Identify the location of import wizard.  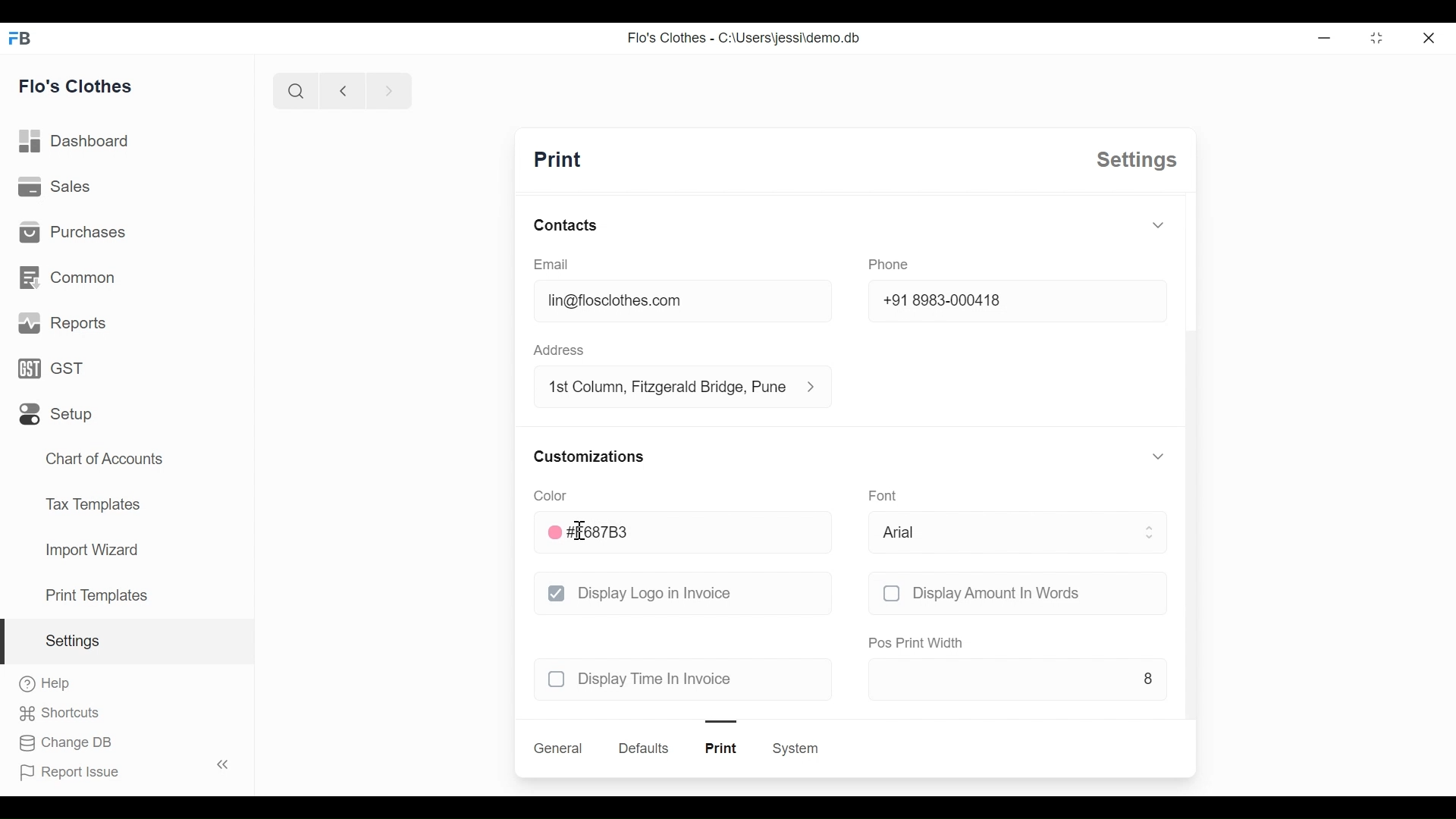
(91, 550).